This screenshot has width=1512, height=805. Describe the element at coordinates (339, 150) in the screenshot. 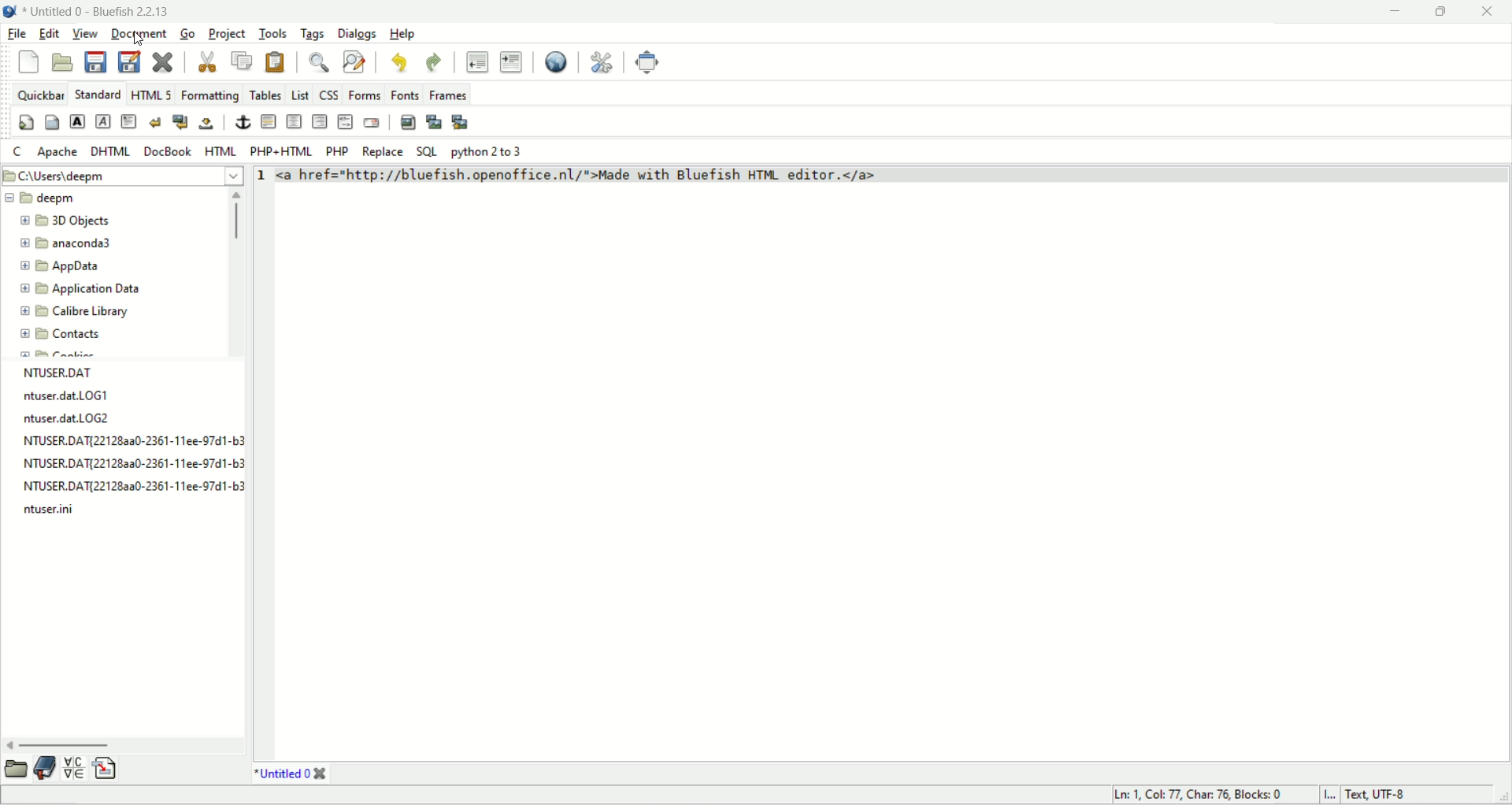

I see `PHP` at that location.